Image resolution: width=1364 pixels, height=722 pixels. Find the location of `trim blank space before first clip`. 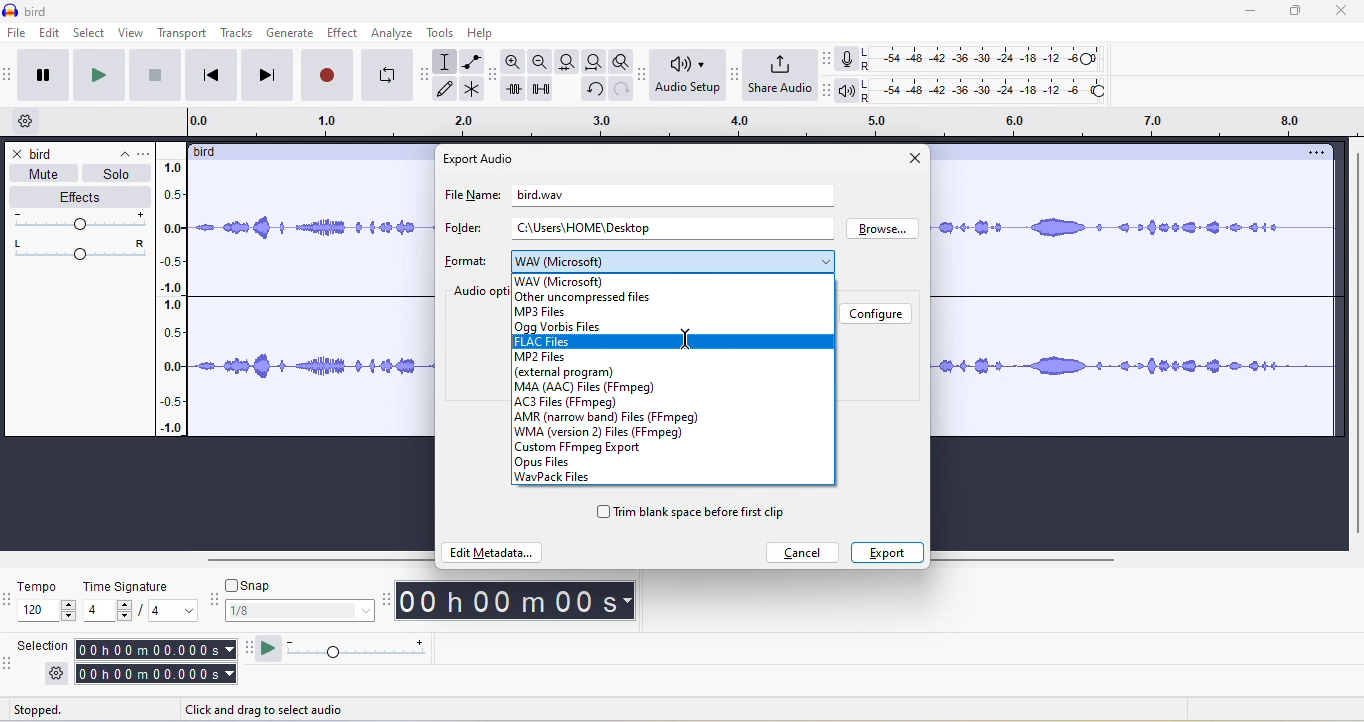

trim blank space before first clip is located at coordinates (692, 514).